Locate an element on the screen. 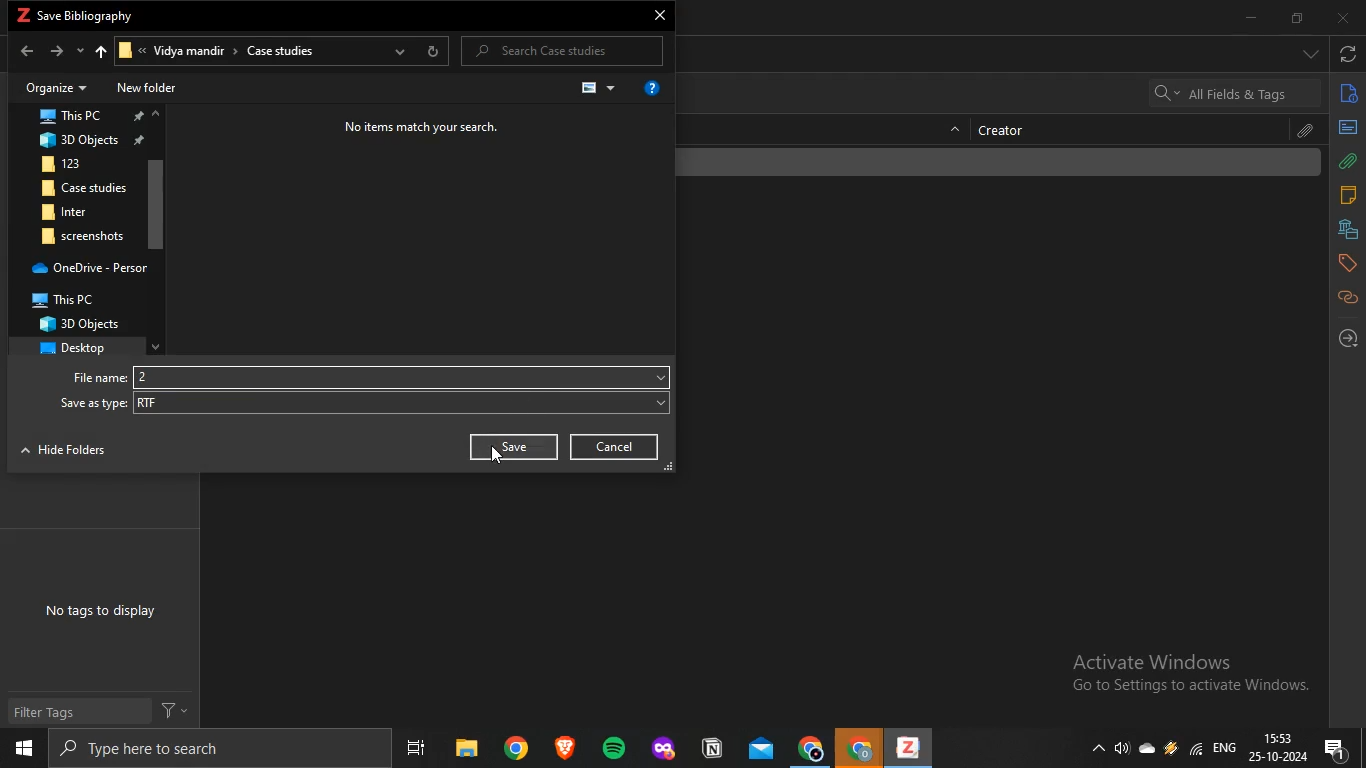 Image resolution: width=1366 pixels, height=768 pixels. Save is located at coordinates (513, 448).